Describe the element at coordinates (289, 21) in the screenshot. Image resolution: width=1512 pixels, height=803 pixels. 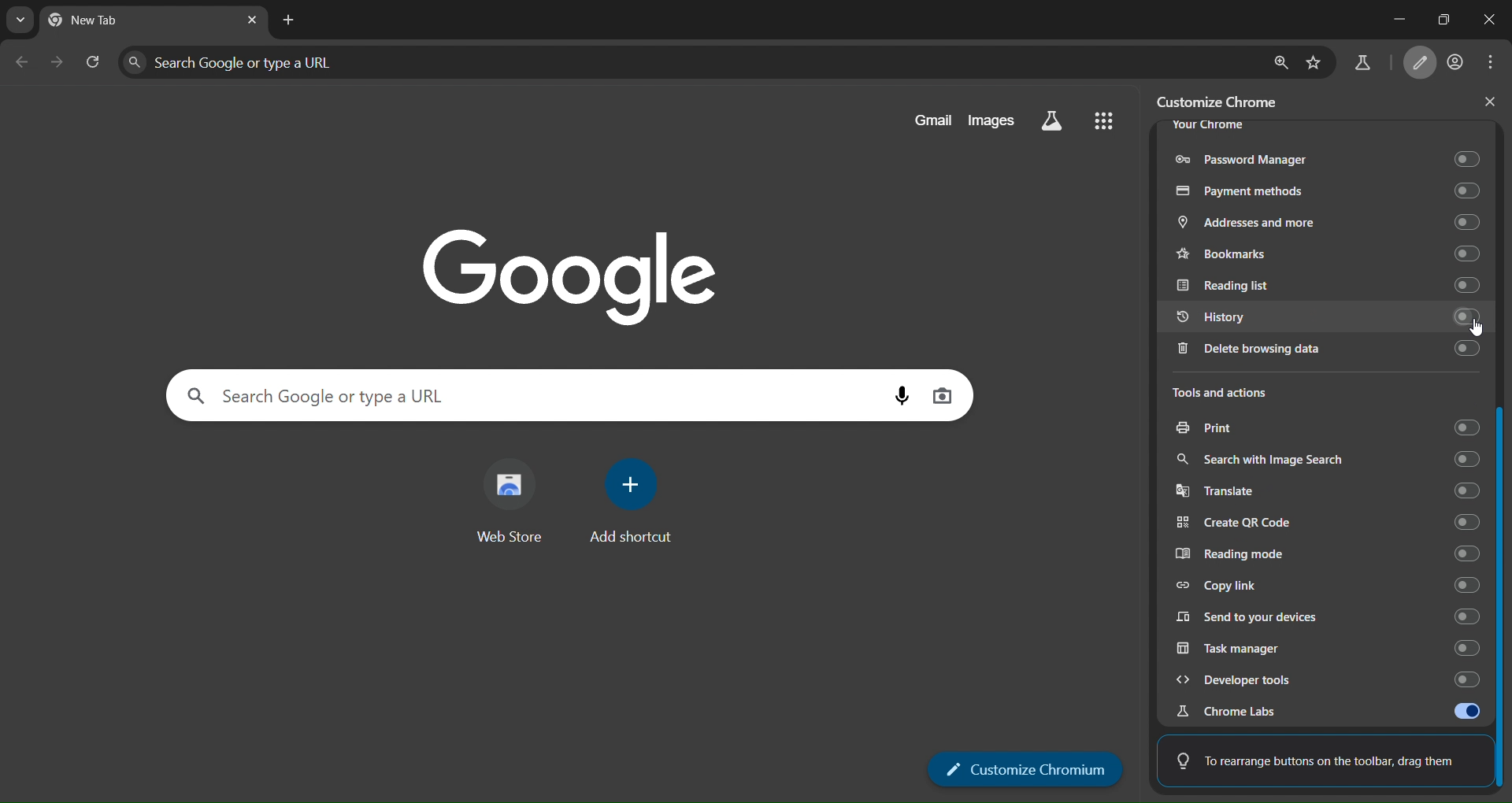
I see `new tab` at that location.